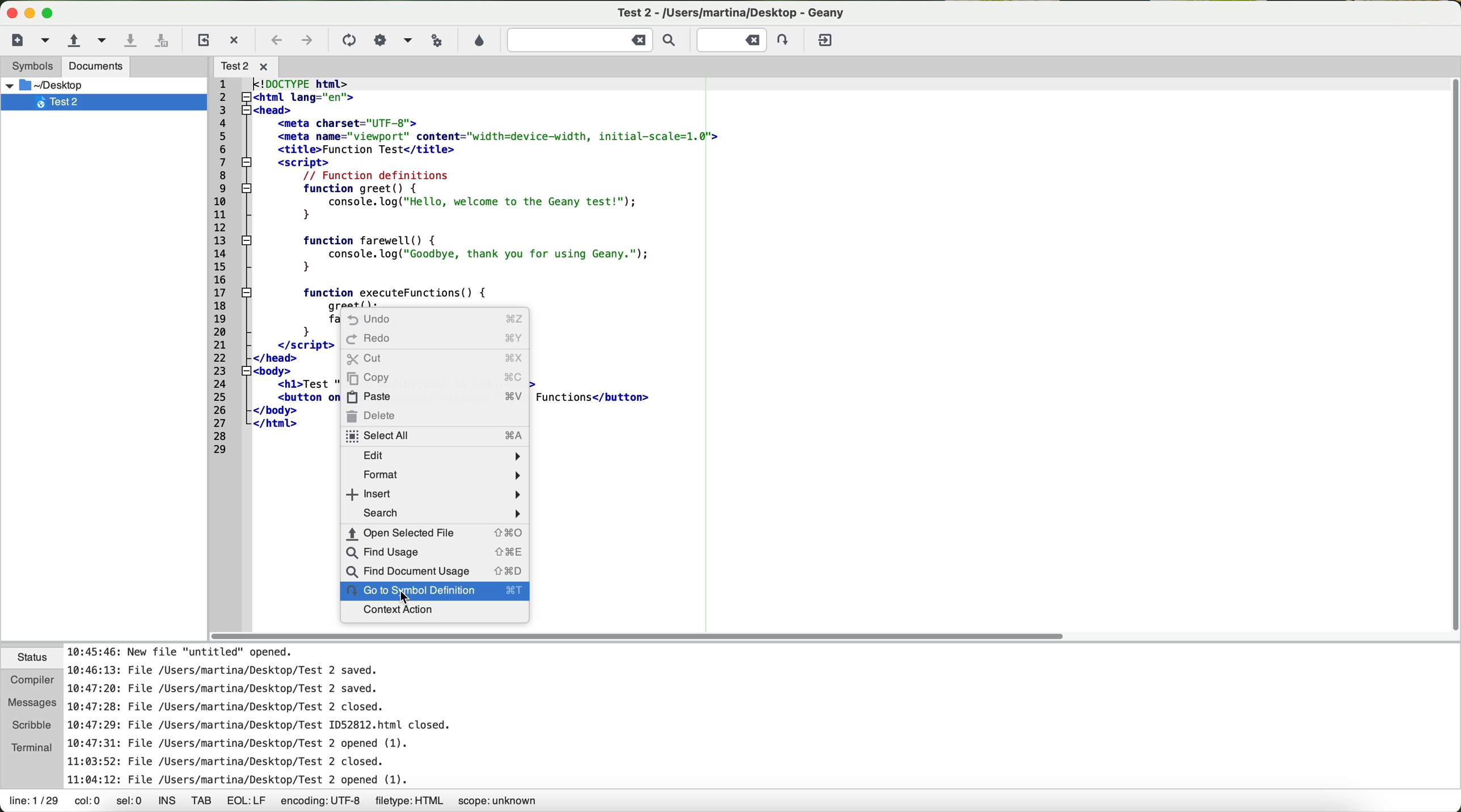 This screenshot has height=812, width=1461. What do you see at coordinates (435, 359) in the screenshot?
I see `cut` at bounding box center [435, 359].